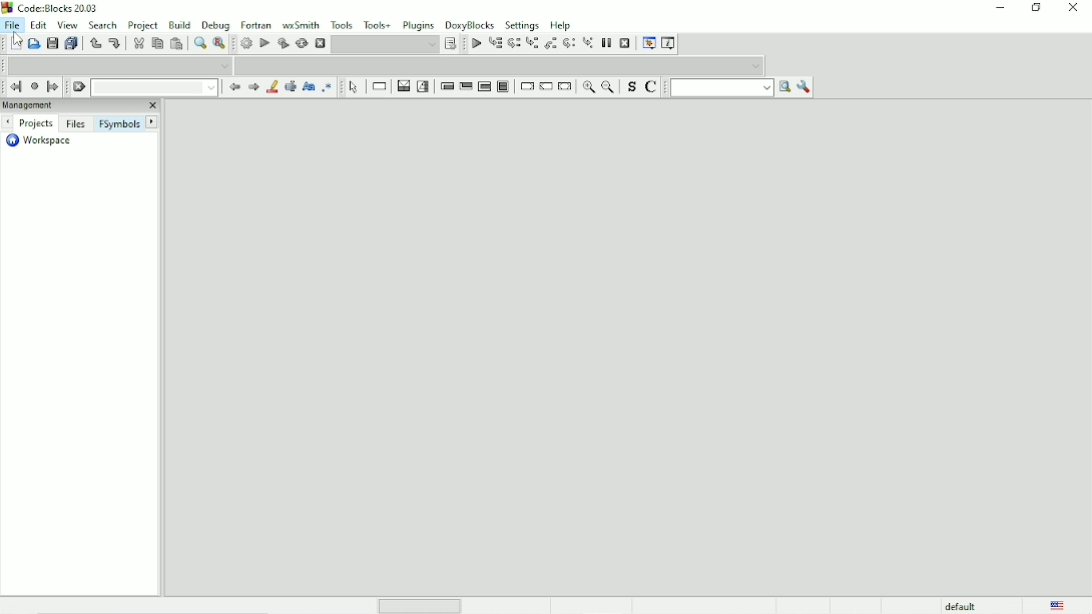  Describe the element at coordinates (320, 43) in the screenshot. I see `Abort` at that location.